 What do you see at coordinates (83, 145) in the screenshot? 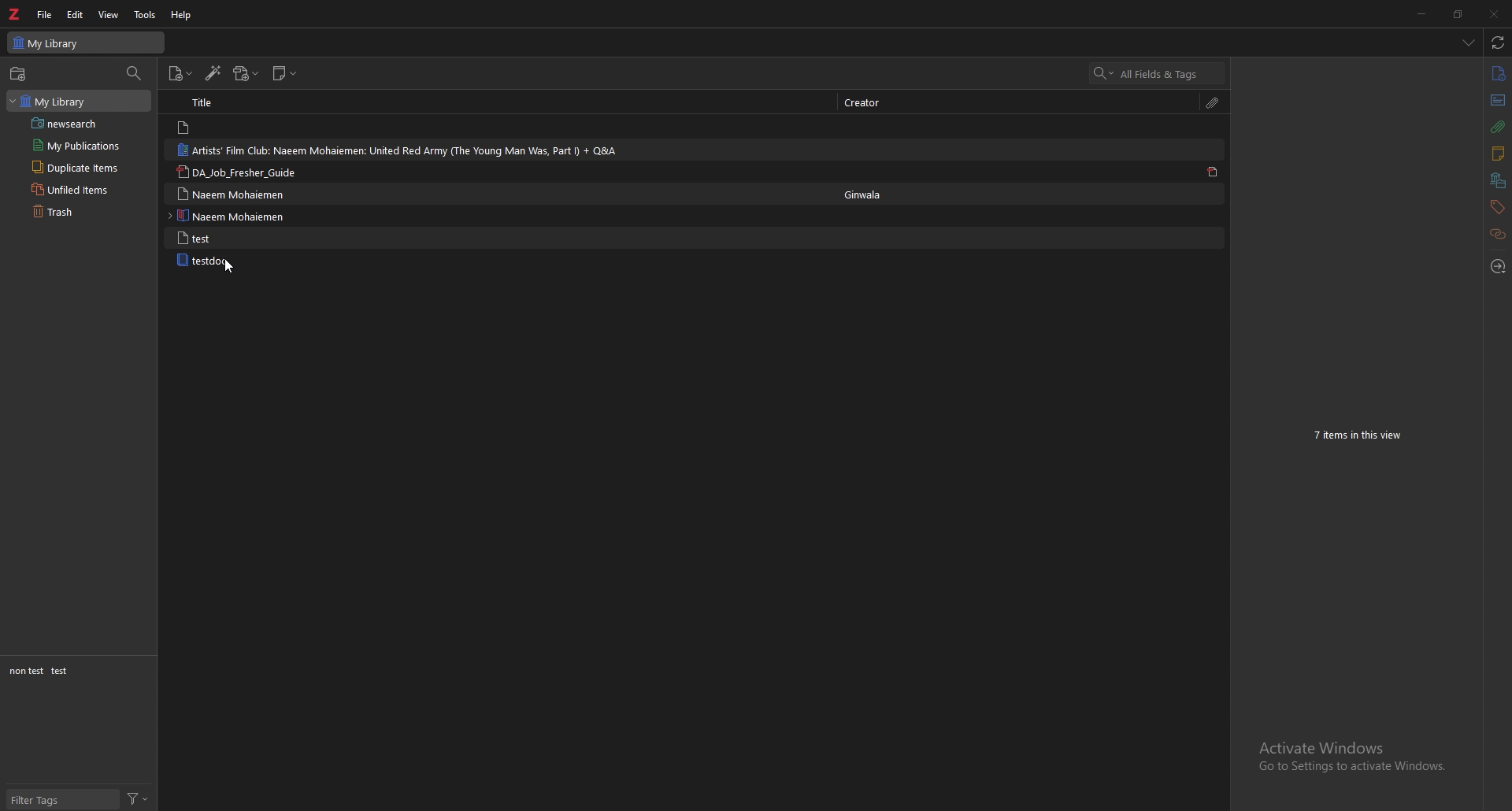
I see `my publications` at bounding box center [83, 145].